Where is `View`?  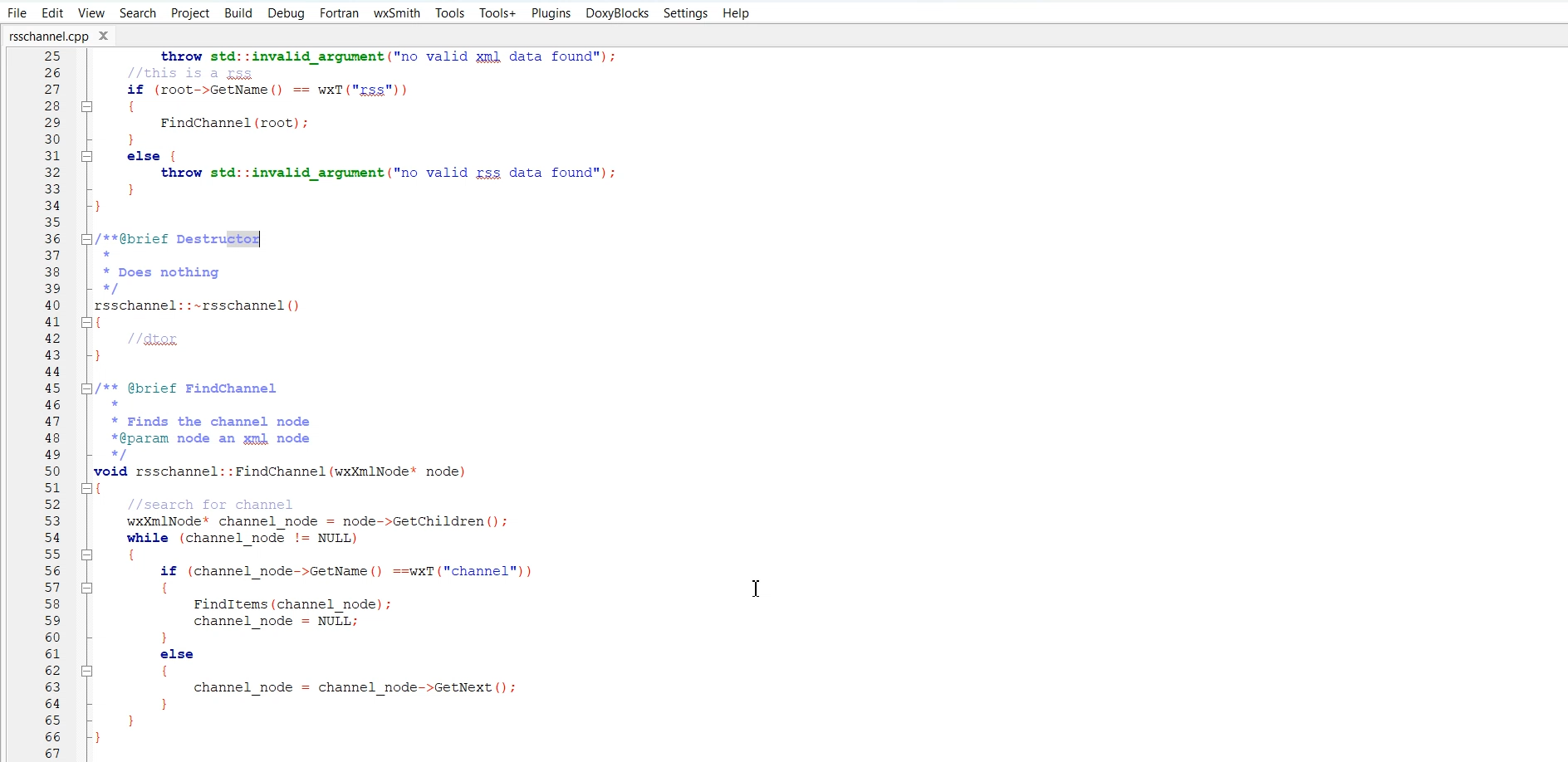
View is located at coordinates (91, 13).